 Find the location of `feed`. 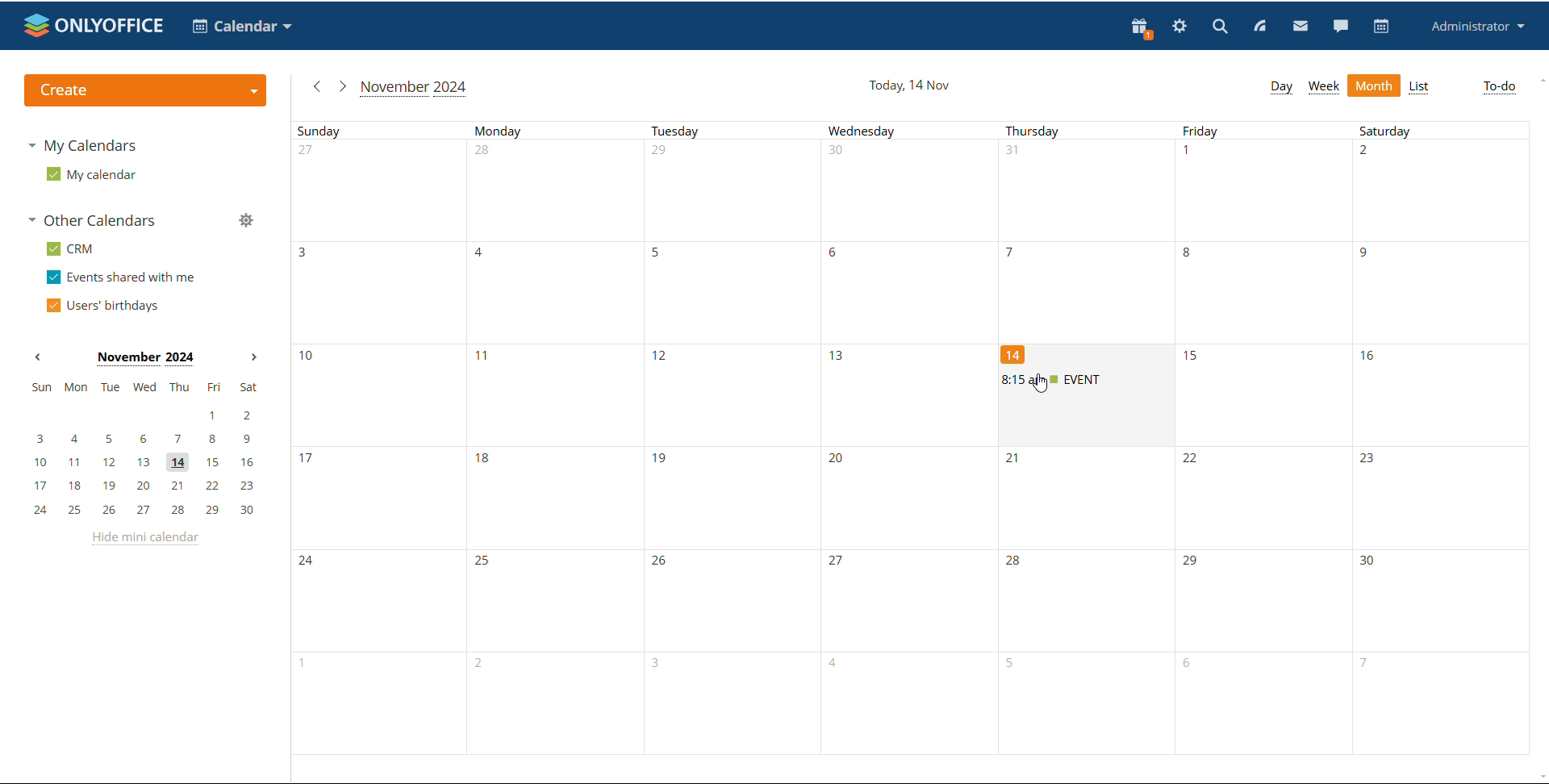

feed is located at coordinates (1259, 27).